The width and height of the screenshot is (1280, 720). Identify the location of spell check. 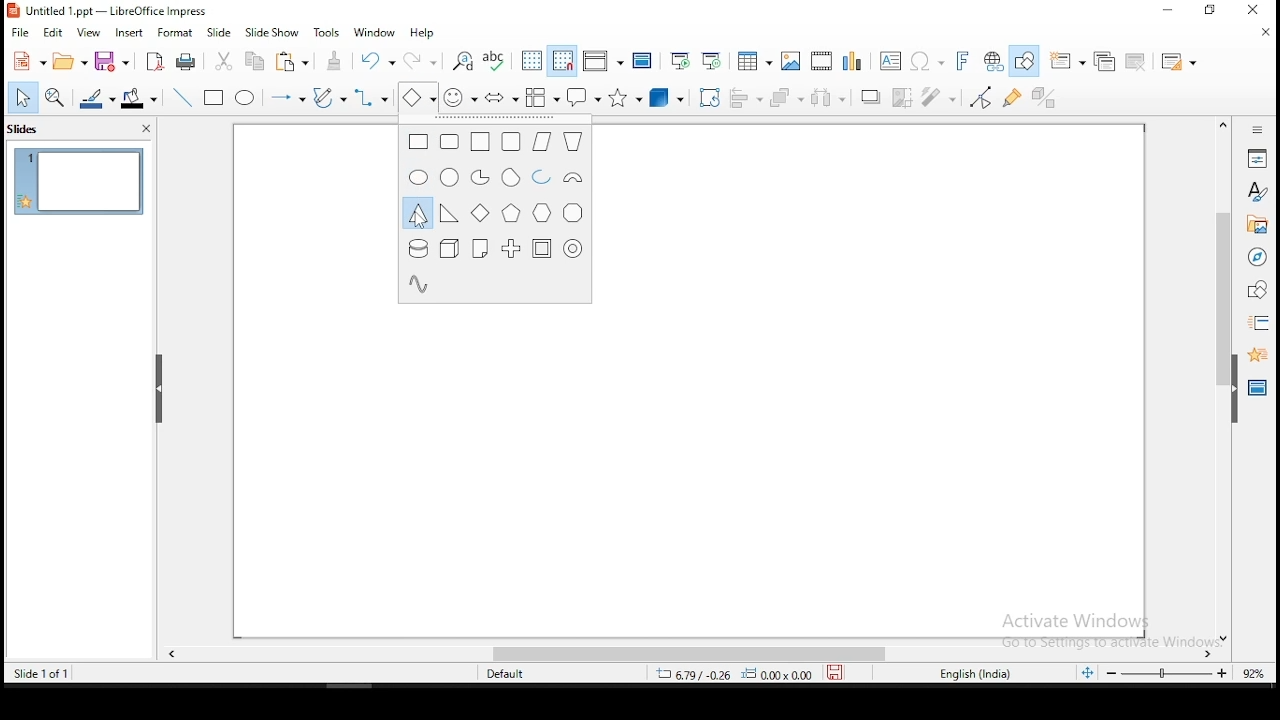
(497, 61).